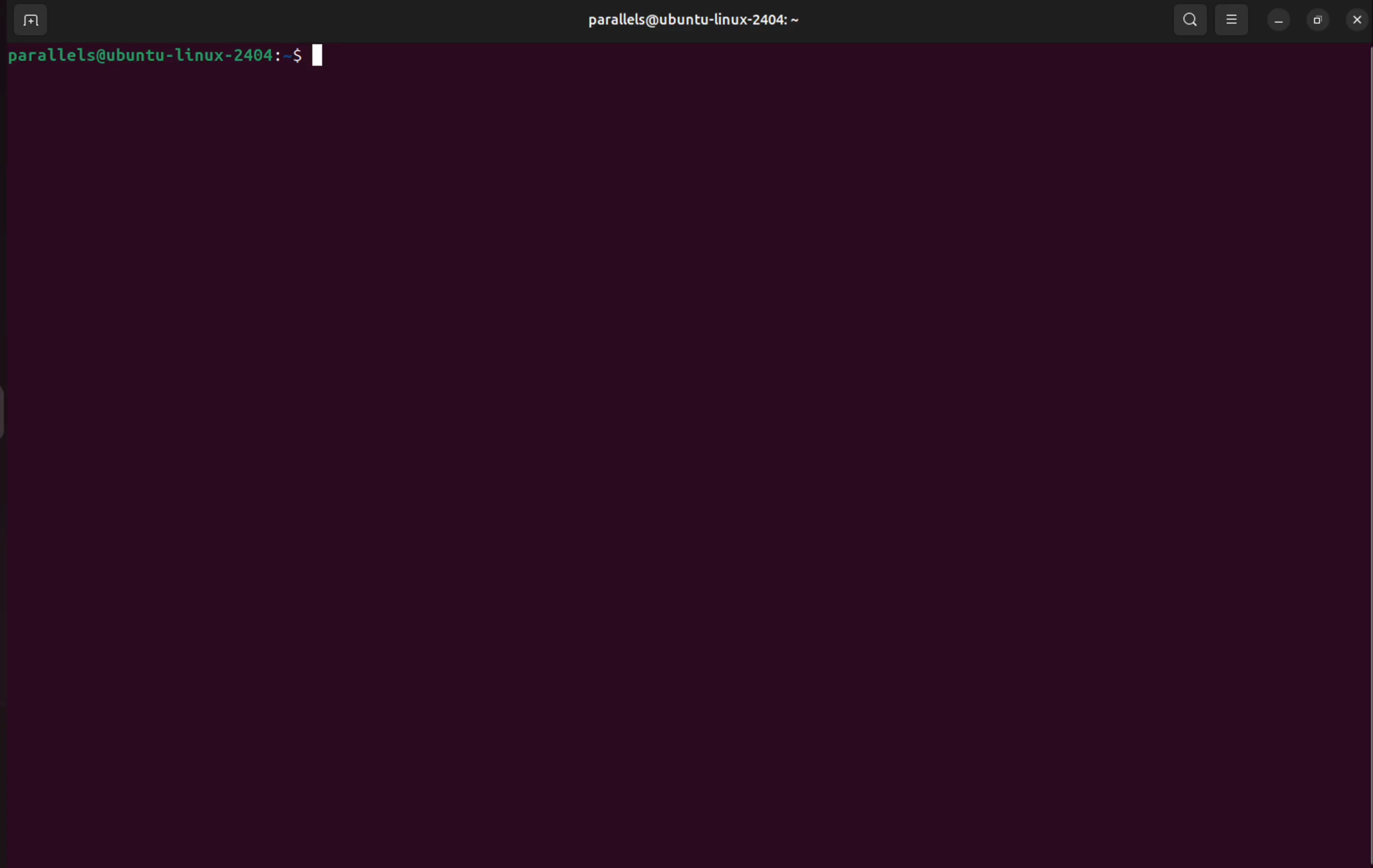 The image size is (1373, 868). I want to click on add terminal, so click(30, 21).